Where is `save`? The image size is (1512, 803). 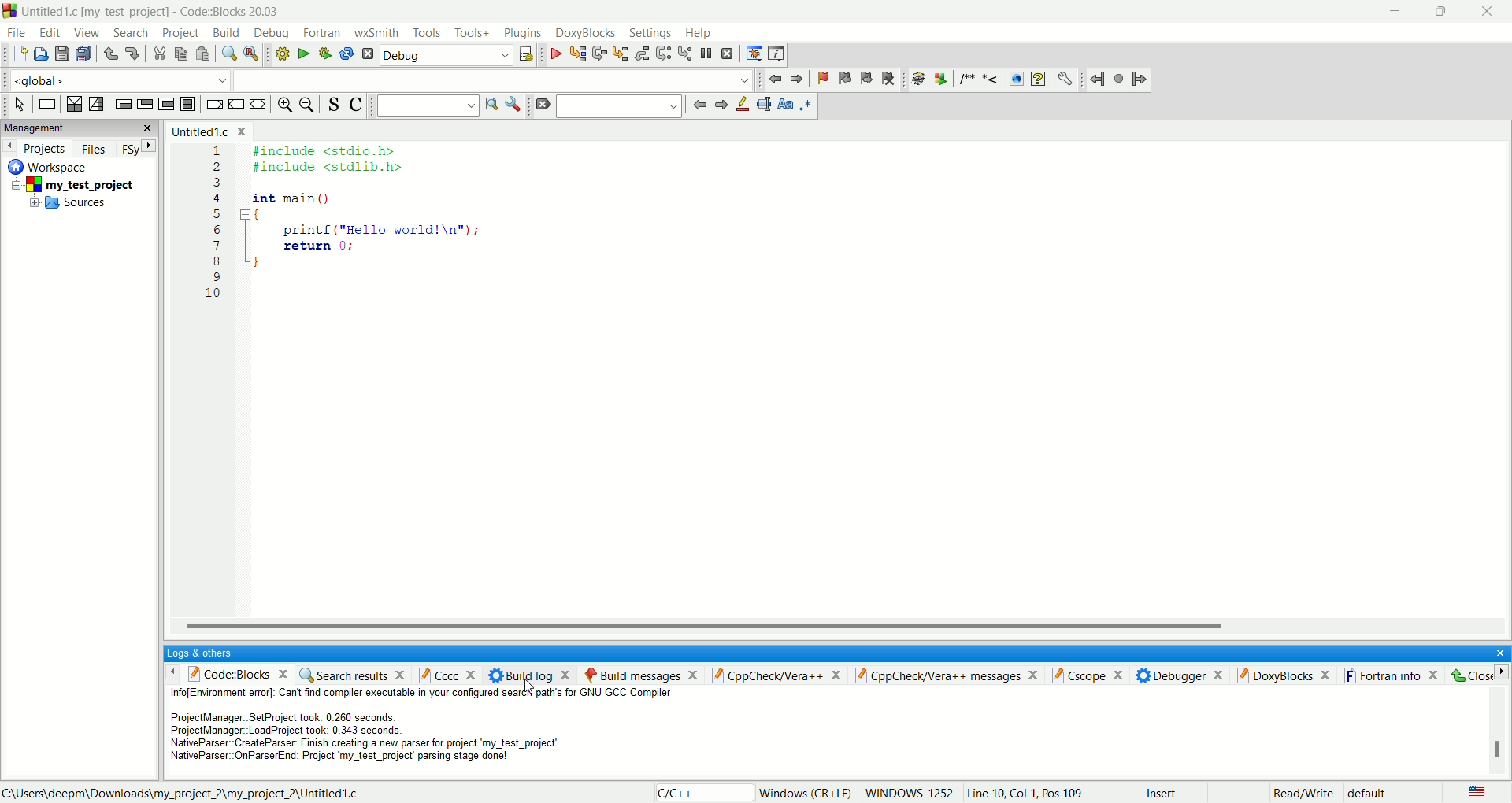
save is located at coordinates (62, 54).